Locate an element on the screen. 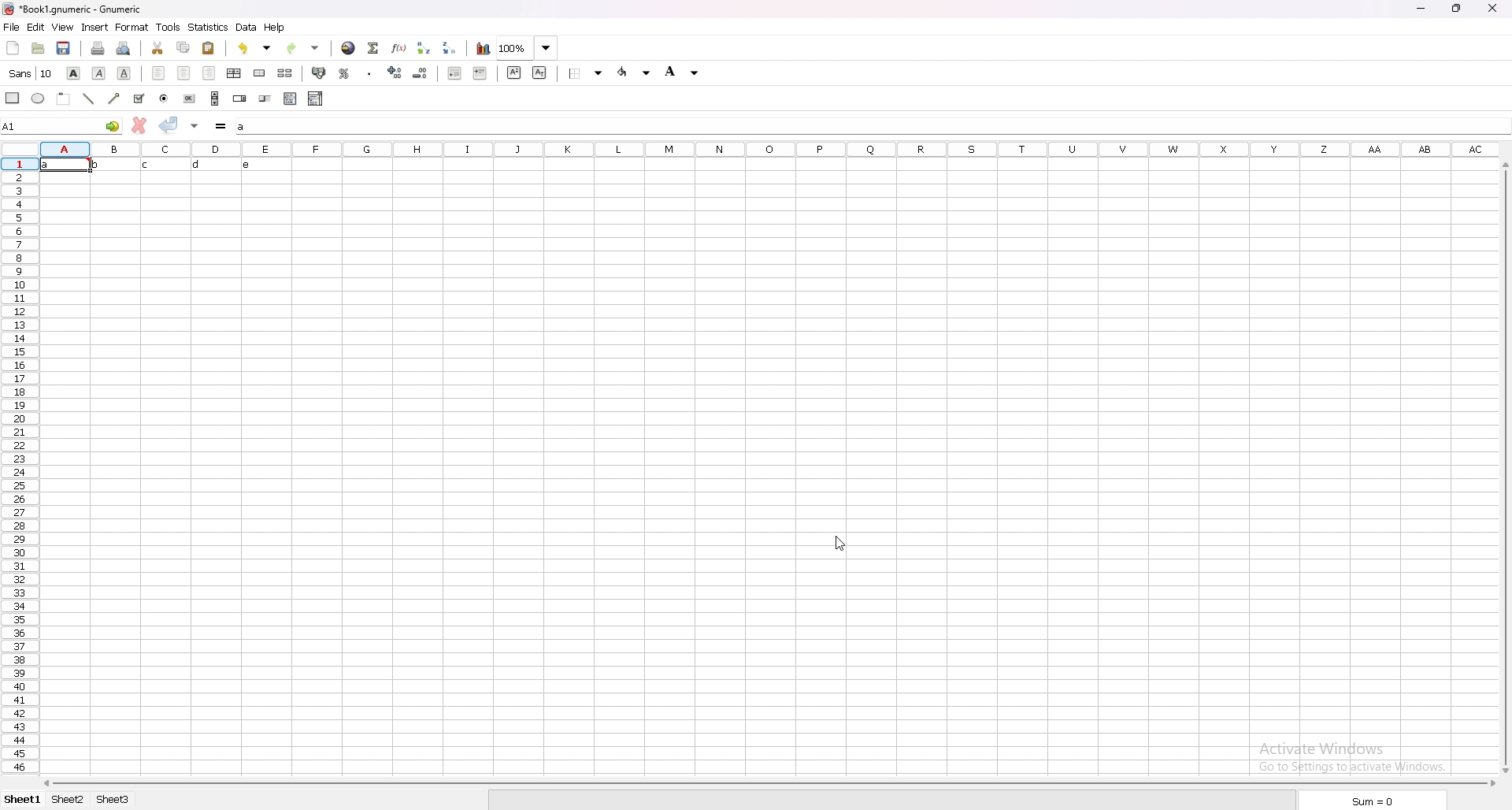 The width and height of the screenshot is (1512, 810). combo box is located at coordinates (315, 98).